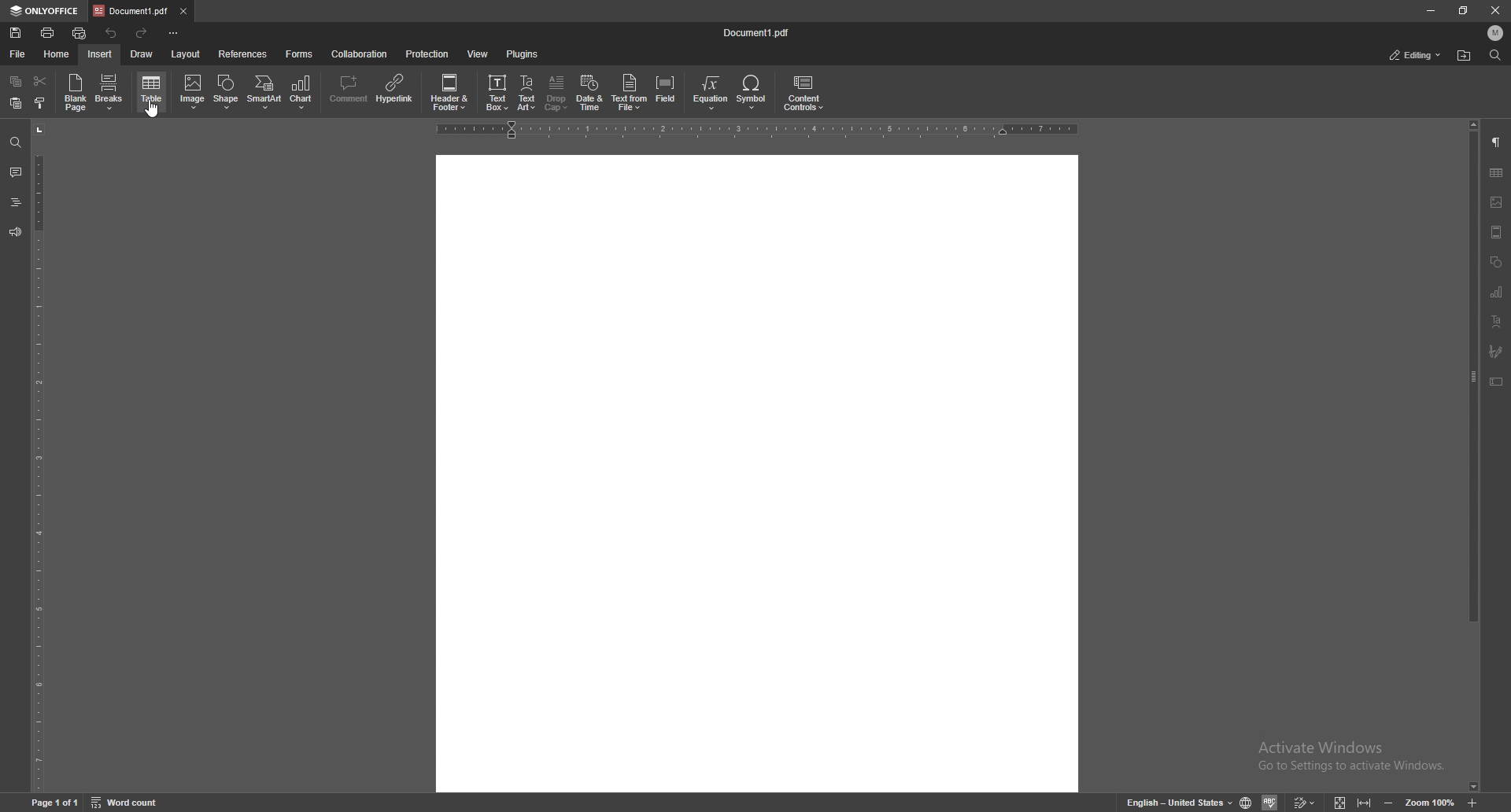 The image size is (1511, 812). What do you see at coordinates (100, 54) in the screenshot?
I see `insert` at bounding box center [100, 54].